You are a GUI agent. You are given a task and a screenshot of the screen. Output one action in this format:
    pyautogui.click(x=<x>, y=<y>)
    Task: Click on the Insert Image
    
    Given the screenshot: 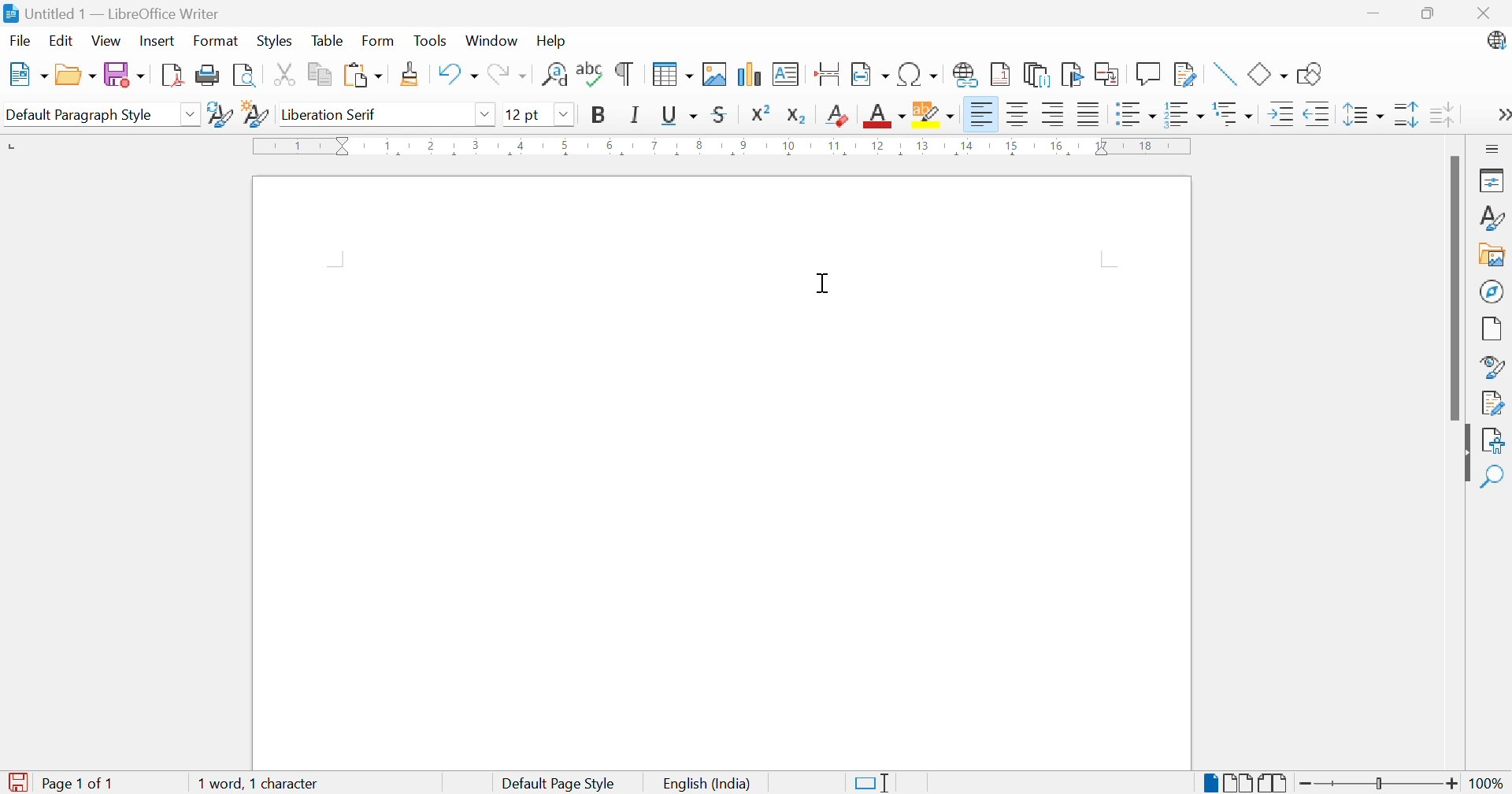 What is the action you would take?
    pyautogui.click(x=715, y=73)
    